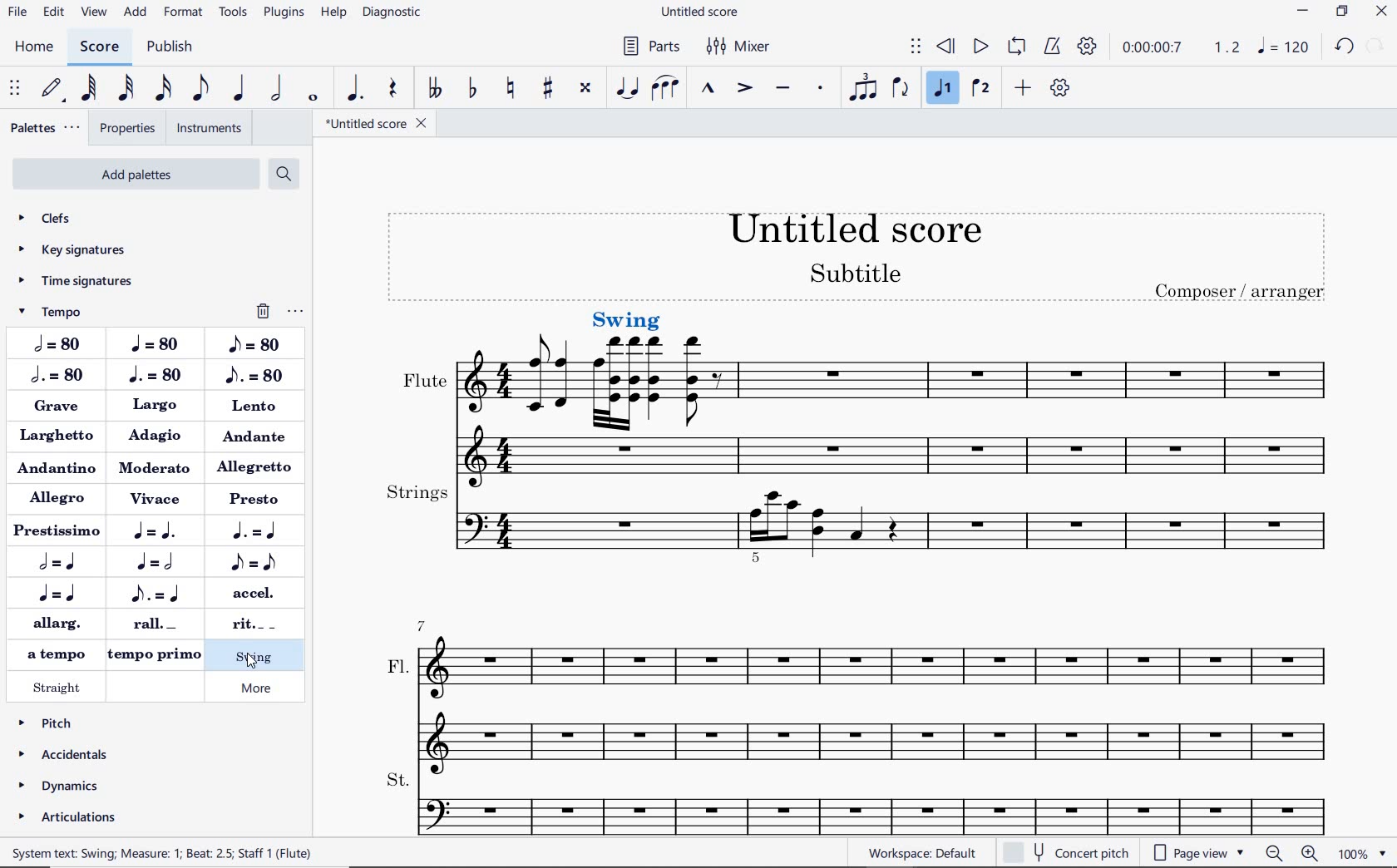 This screenshot has height=868, width=1397. Describe the element at coordinates (654, 49) in the screenshot. I see `parts` at that location.